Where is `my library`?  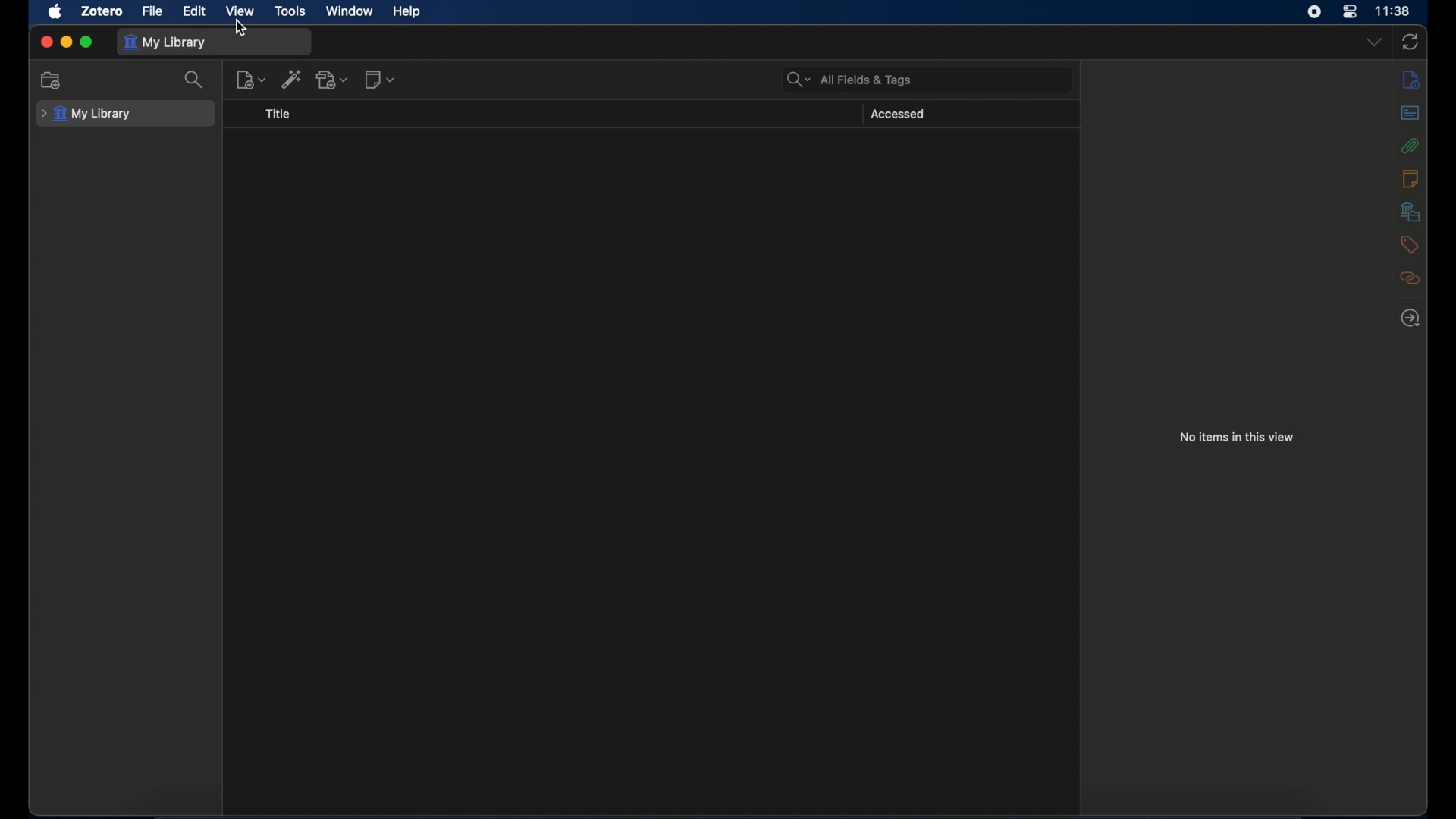
my library is located at coordinates (167, 42).